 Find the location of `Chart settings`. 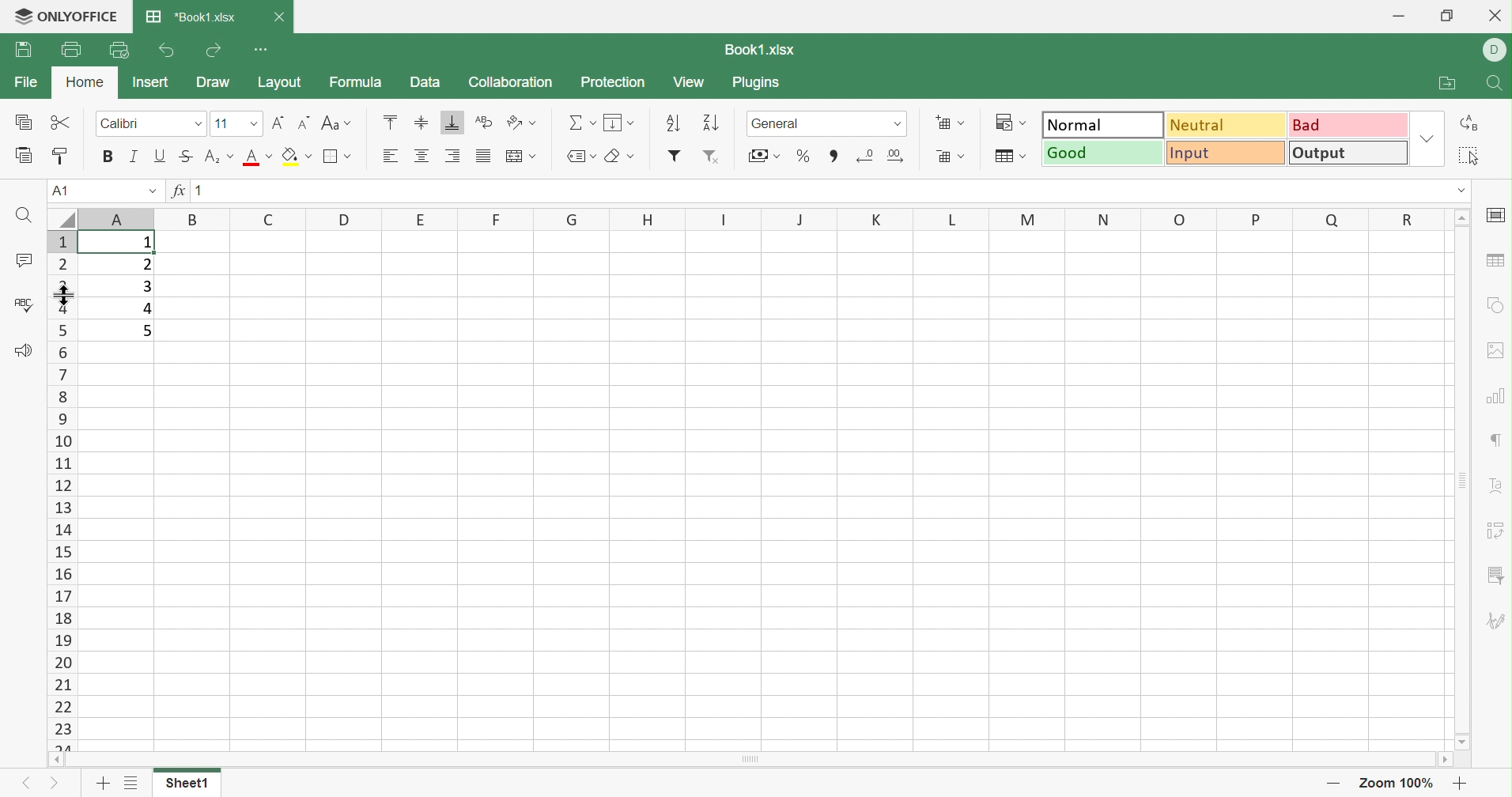

Chart settings is located at coordinates (1495, 398).